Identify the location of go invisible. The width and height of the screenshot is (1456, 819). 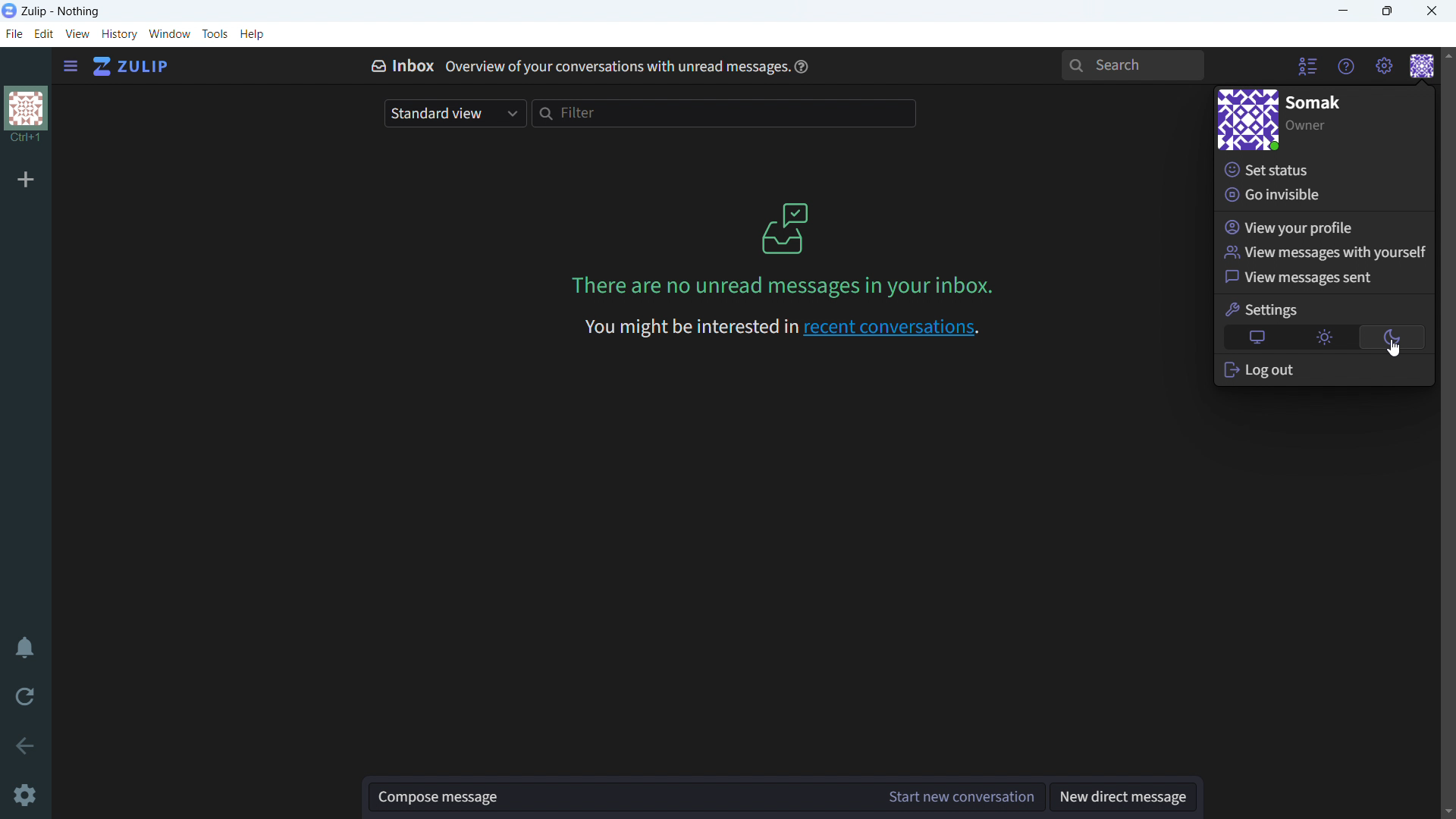
(1321, 194).